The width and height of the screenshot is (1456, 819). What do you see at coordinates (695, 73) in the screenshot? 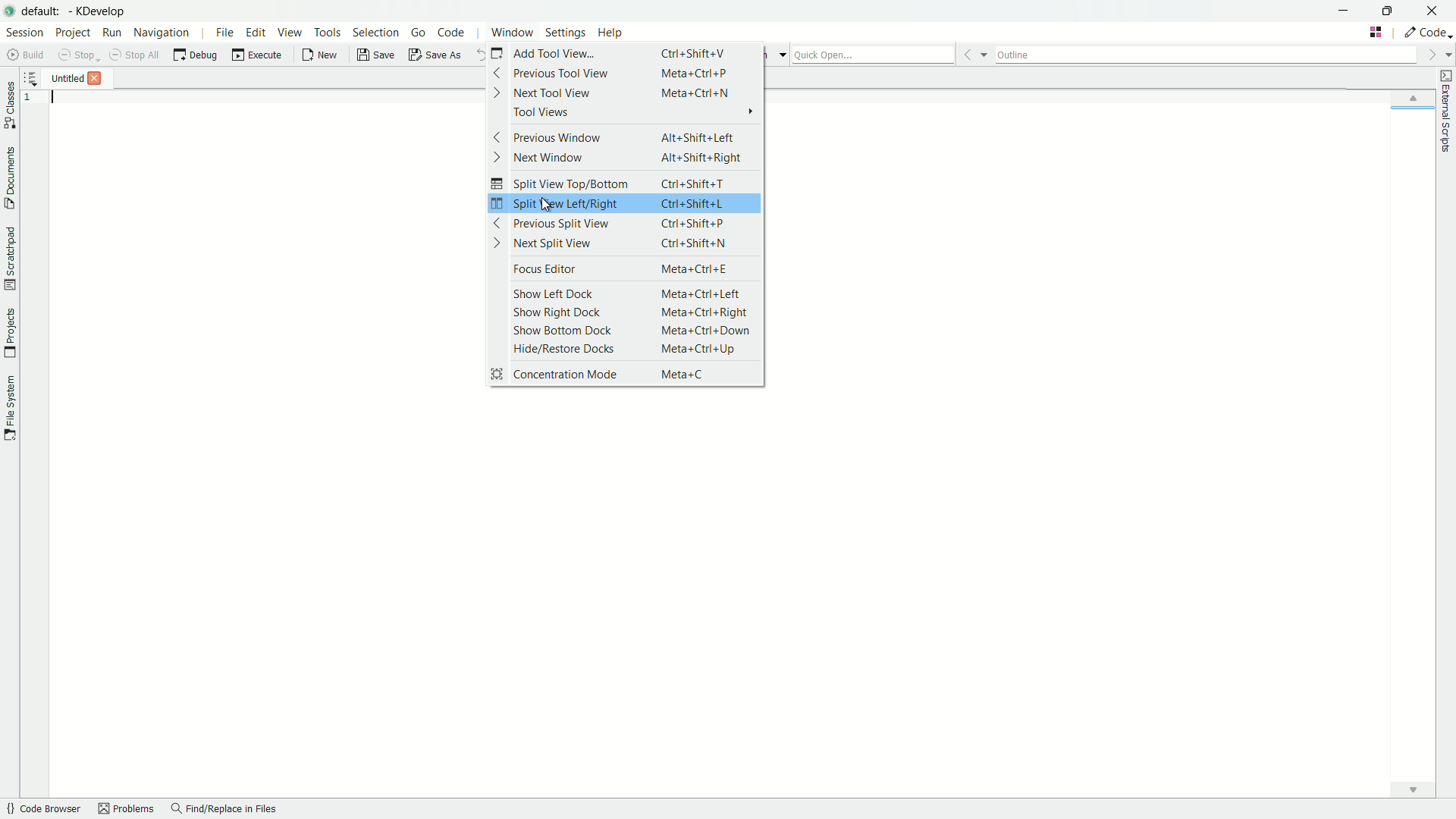
I see `Meta+Ctrl+P` at bounding box center [695, 73].